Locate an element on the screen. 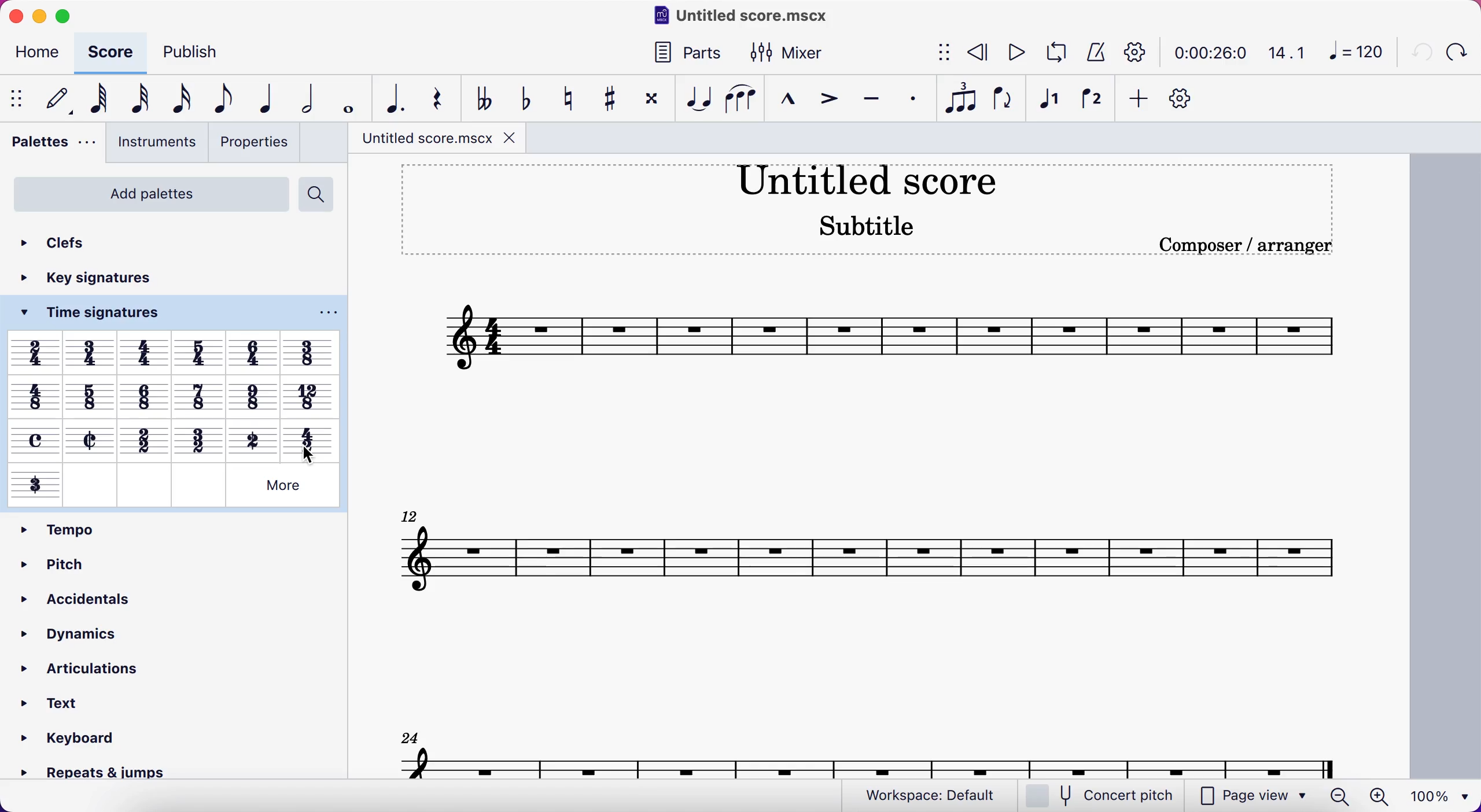 This screenshot has height=812, width=1481. show/hide is located at coordinates (938, 54).